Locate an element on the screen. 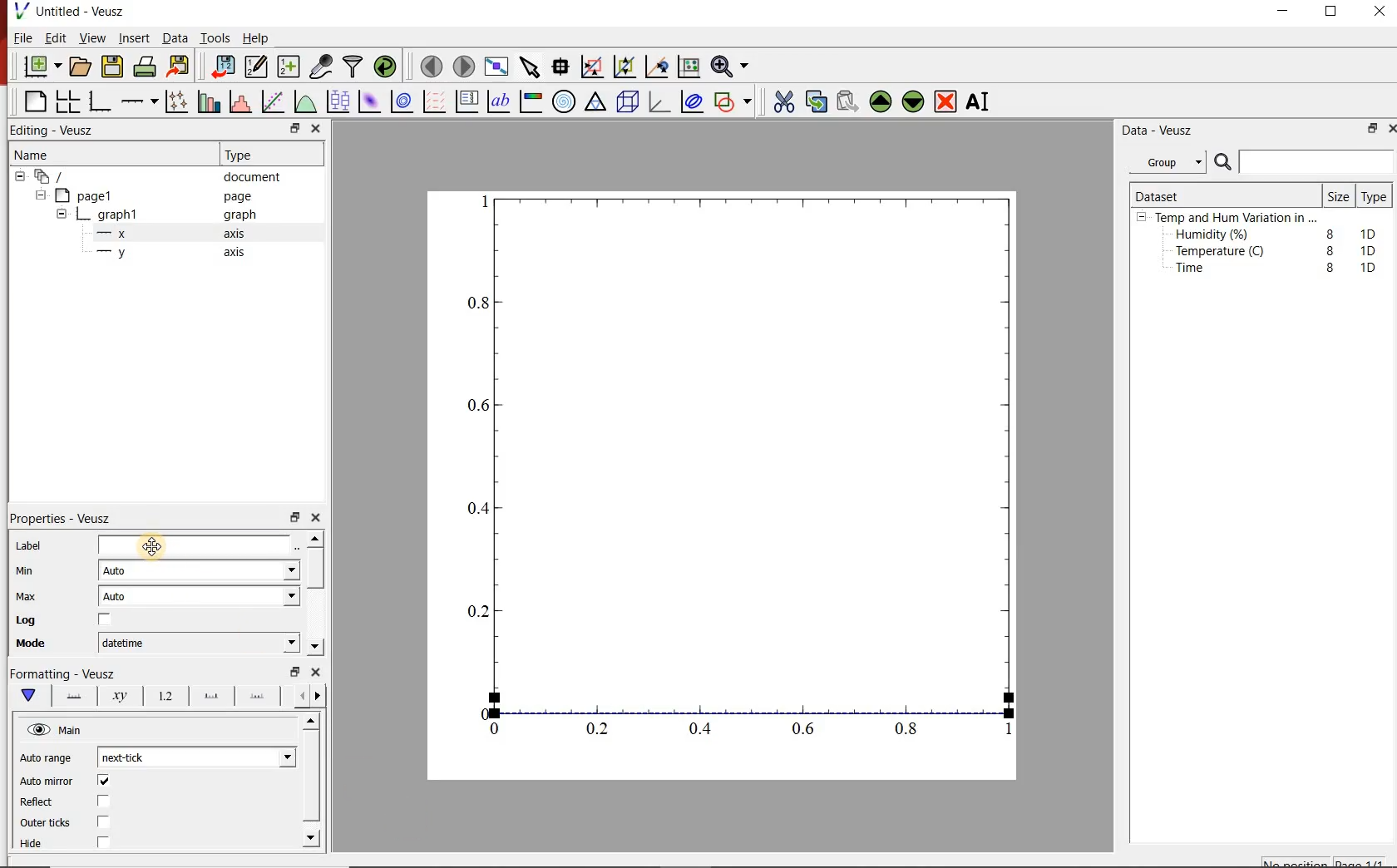 Image resolution: width=1397 pixels, height=868 pixels. Zoom functions menu is located at coordinates (729, 66).